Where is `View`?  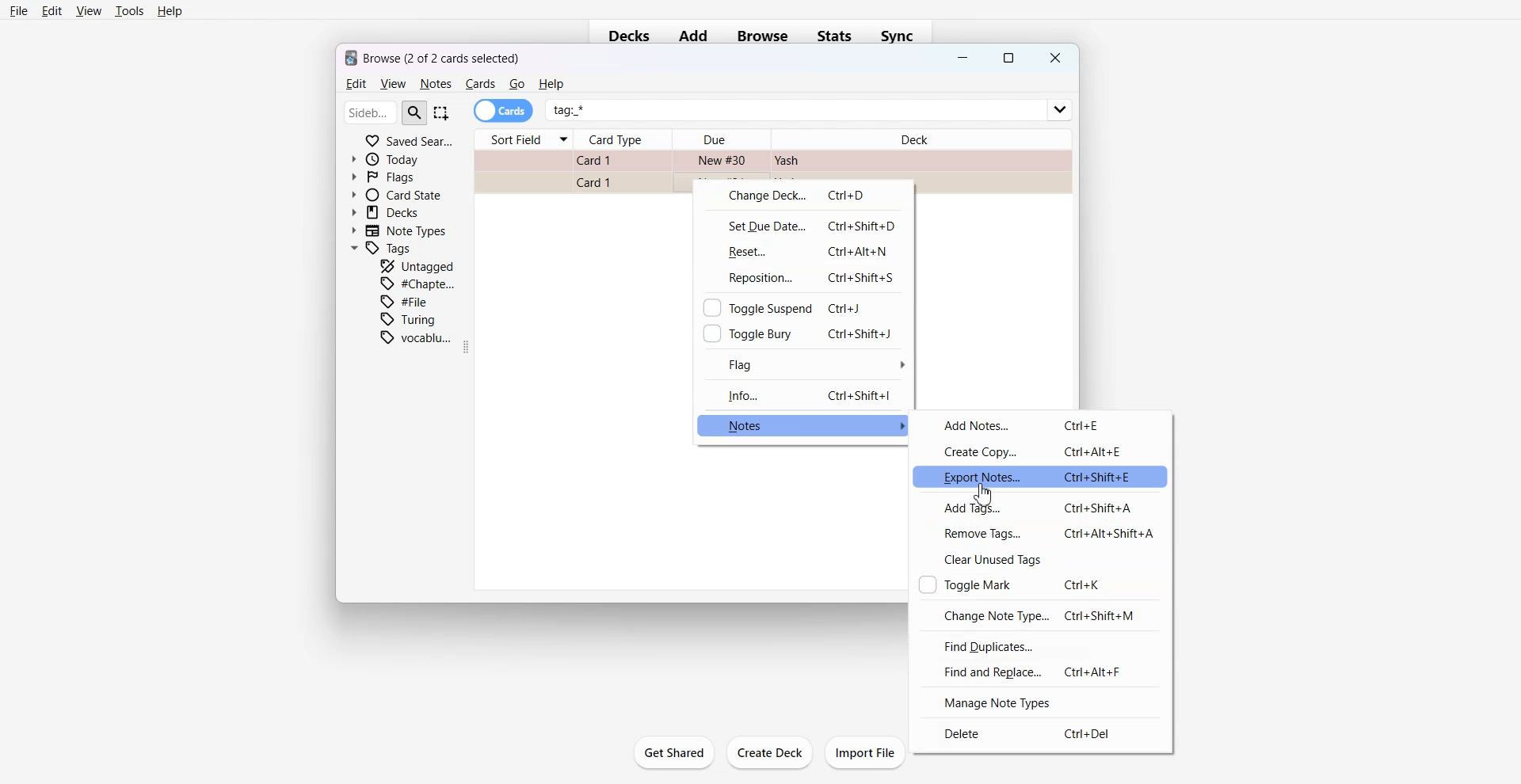
View is located at coordinates (88, 10).